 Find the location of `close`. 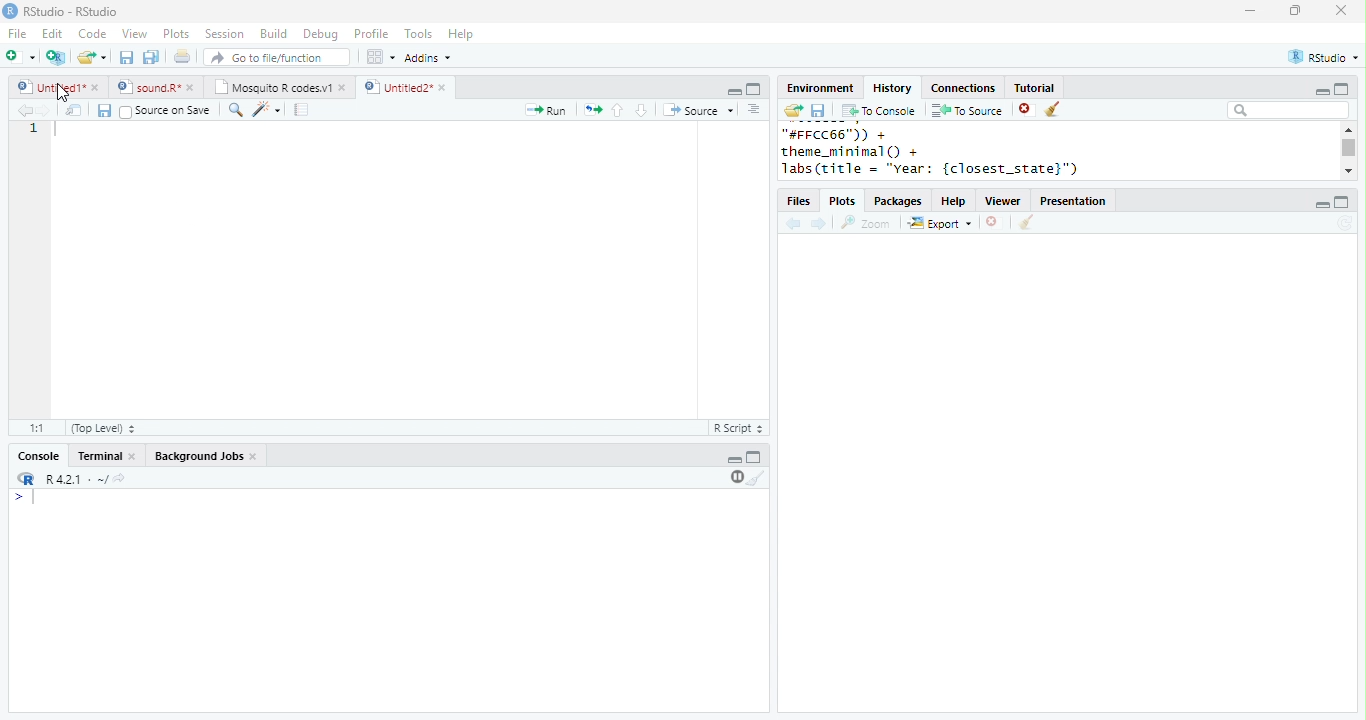

close is located at coordinates (98, 89).